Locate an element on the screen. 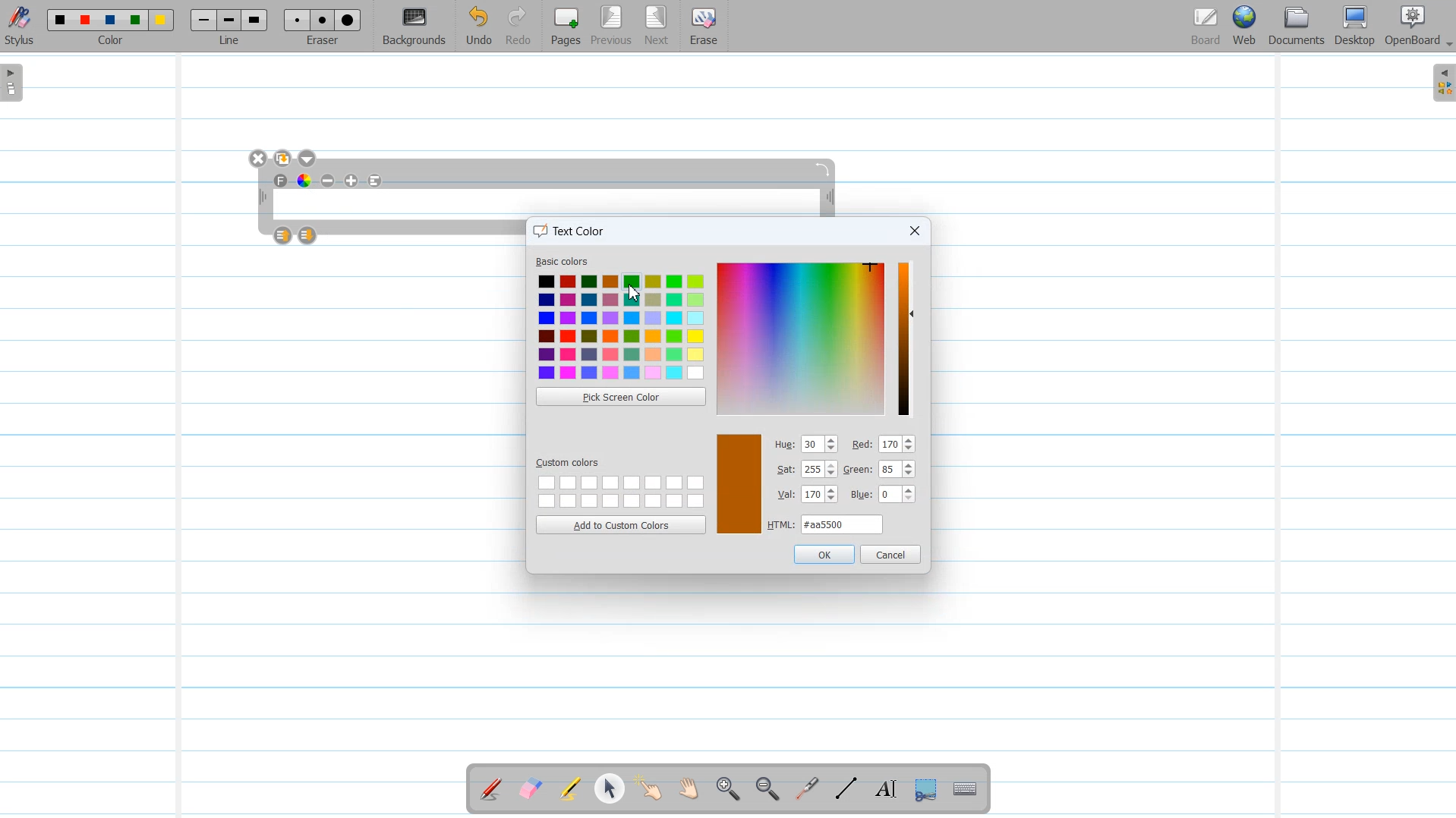 The height and width of the screenshot is (818, 1456). Next is located at coordinates (657, 27).